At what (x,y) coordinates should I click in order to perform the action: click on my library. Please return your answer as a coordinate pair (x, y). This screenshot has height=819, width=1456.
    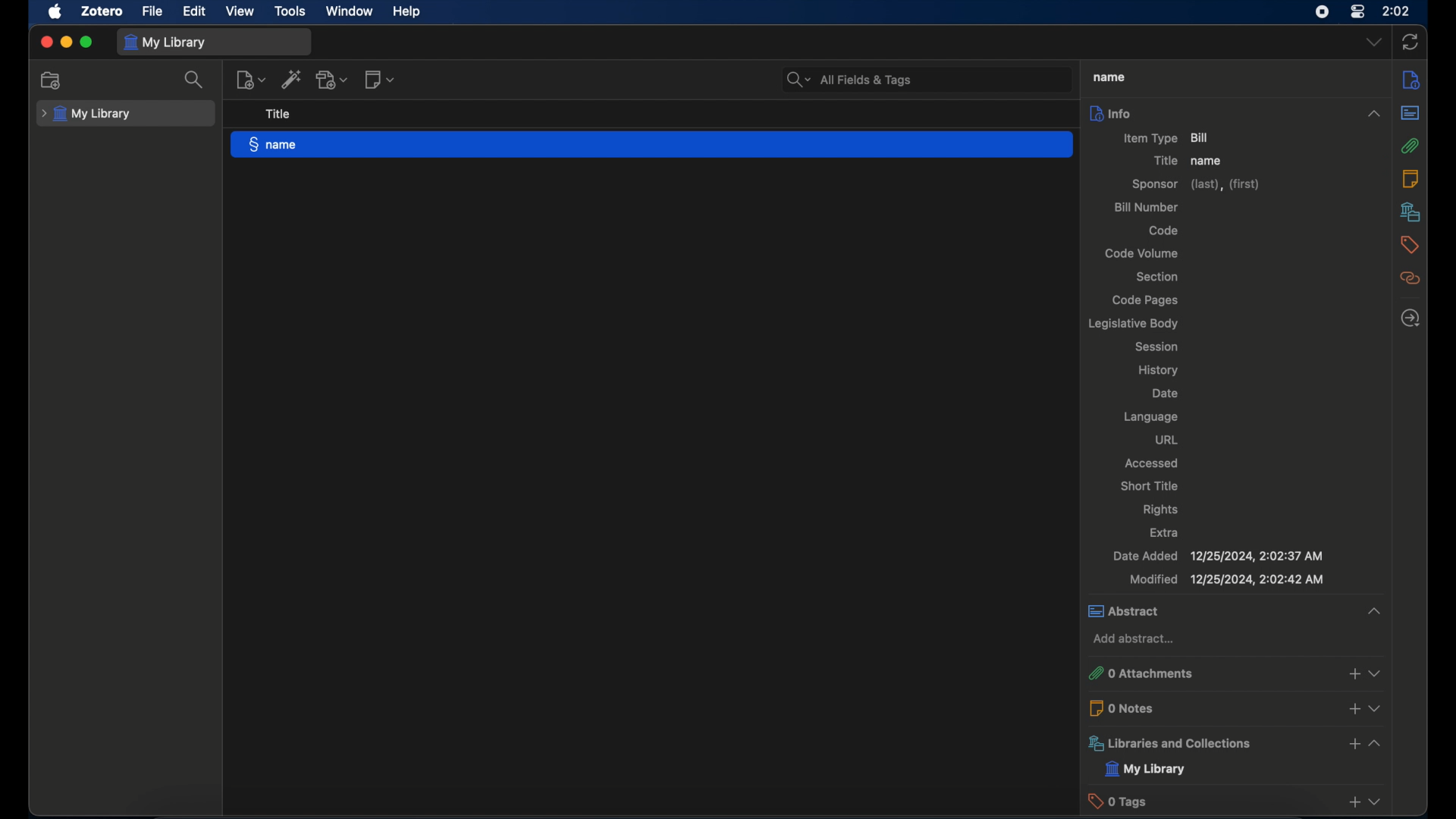
    Looking at the image, I should click on (1146, 770).